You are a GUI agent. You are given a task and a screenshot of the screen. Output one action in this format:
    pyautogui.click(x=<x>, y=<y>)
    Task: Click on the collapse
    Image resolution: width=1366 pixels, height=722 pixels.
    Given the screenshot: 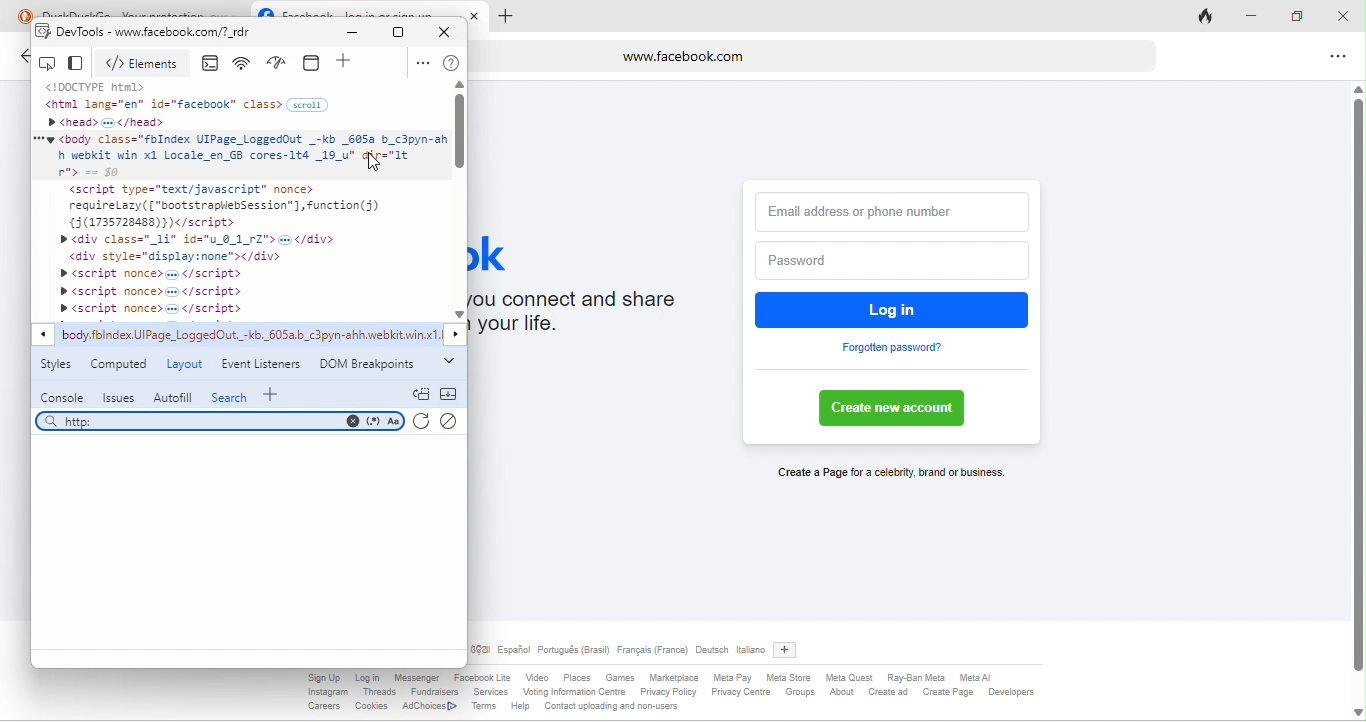 What is the action you would take?
    pyautogui.click(x=449, y=394)
    